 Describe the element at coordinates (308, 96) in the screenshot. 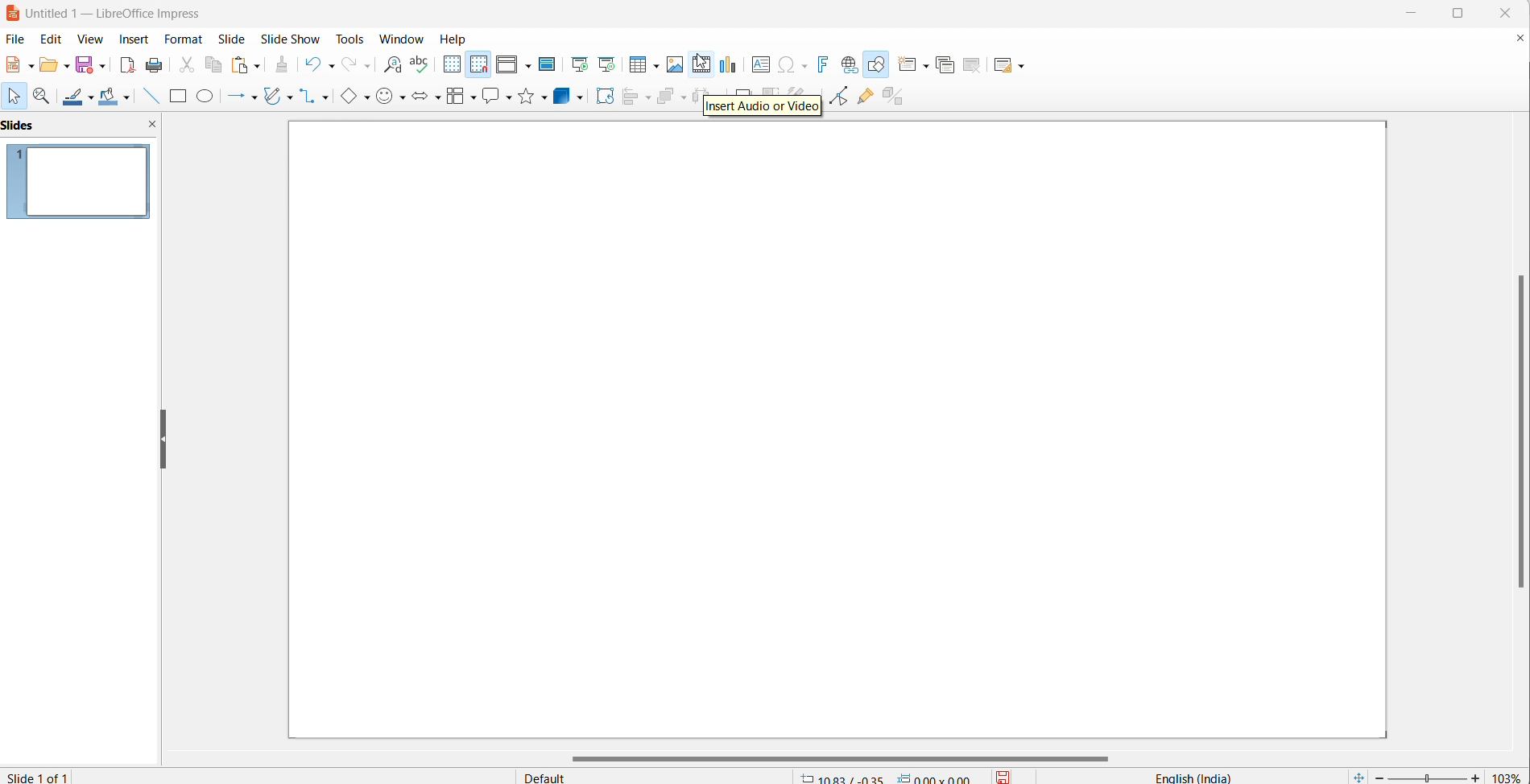

I see `connectors` at that location.